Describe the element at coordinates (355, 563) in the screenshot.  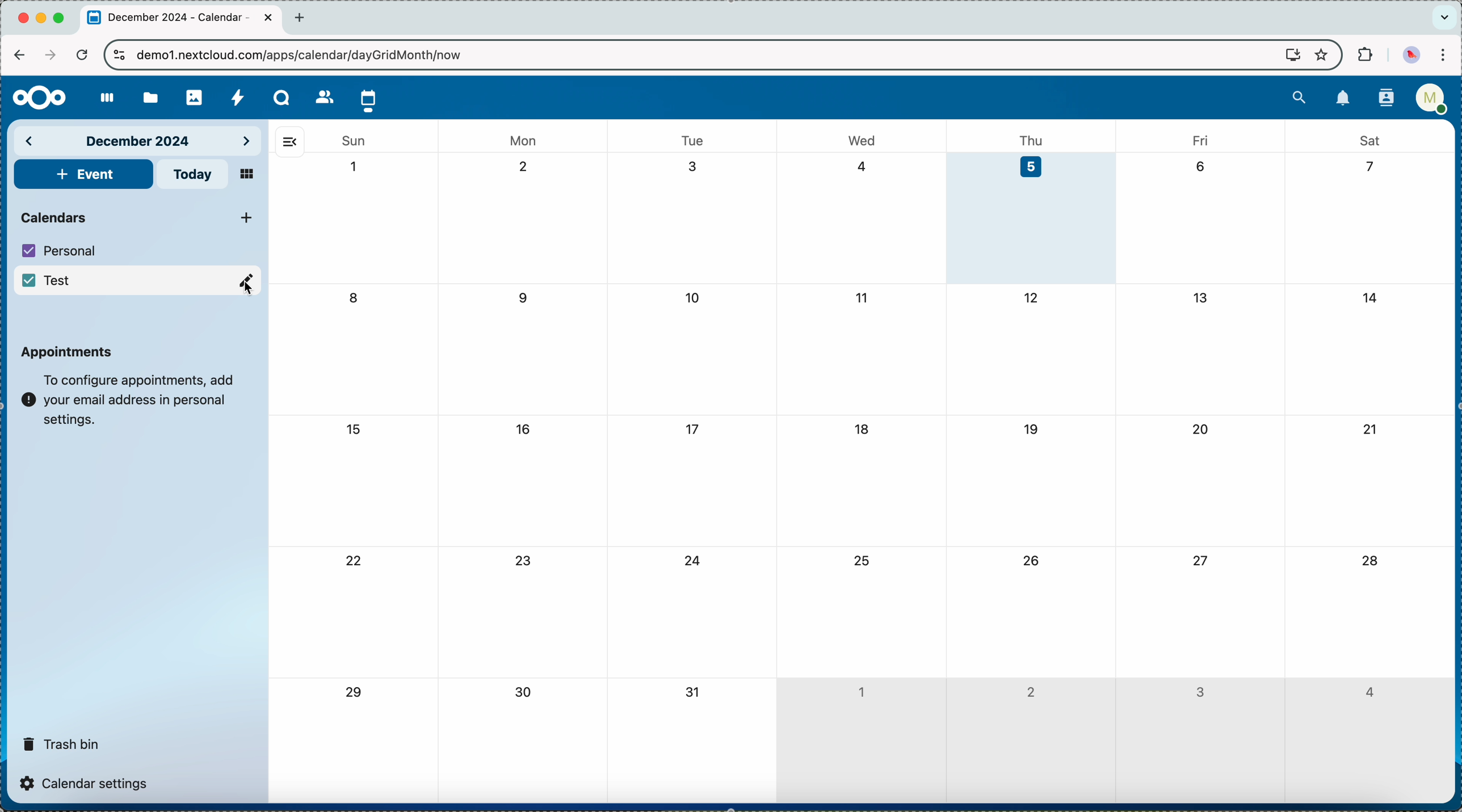
I see `22` at that location.